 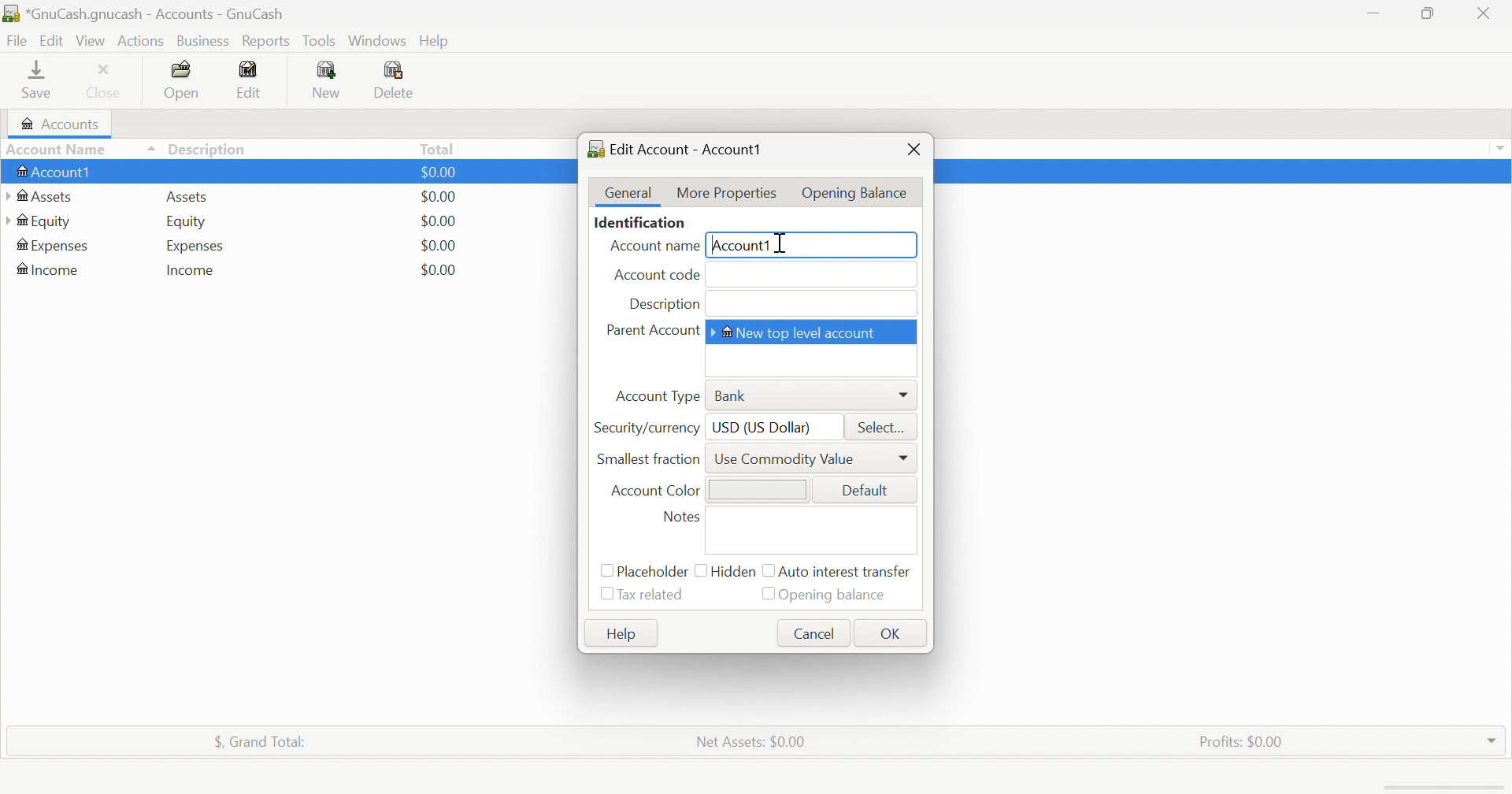 I want to click on Default, so click(x=863, y=492).